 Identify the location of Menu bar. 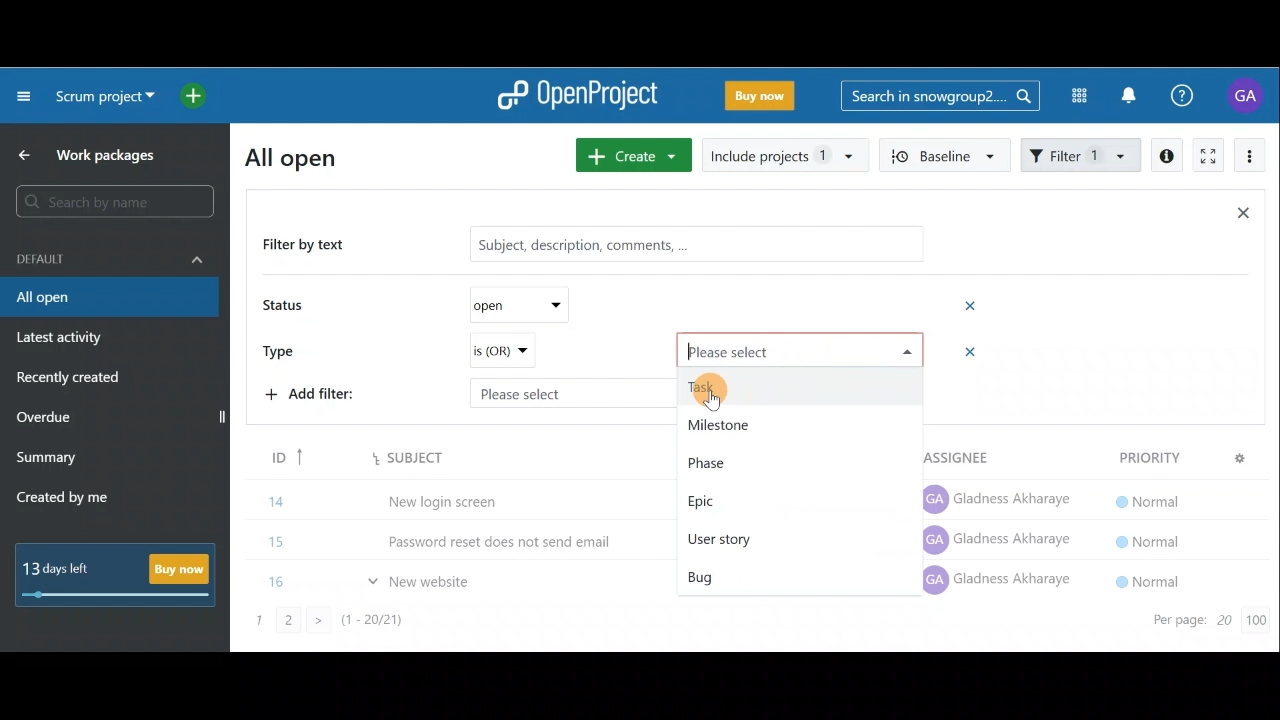
(382, 457).